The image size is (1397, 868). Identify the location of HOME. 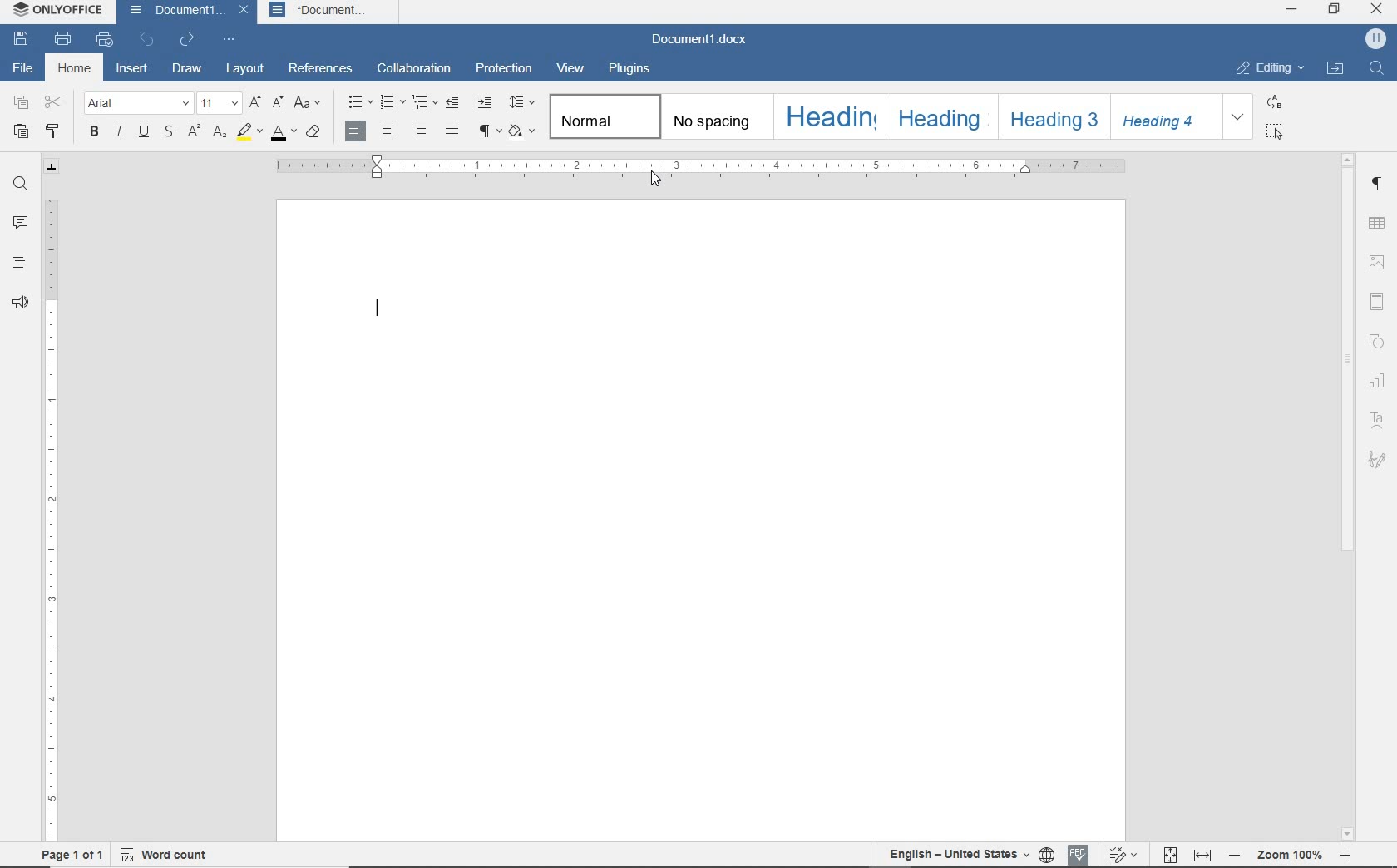
(77, 70).